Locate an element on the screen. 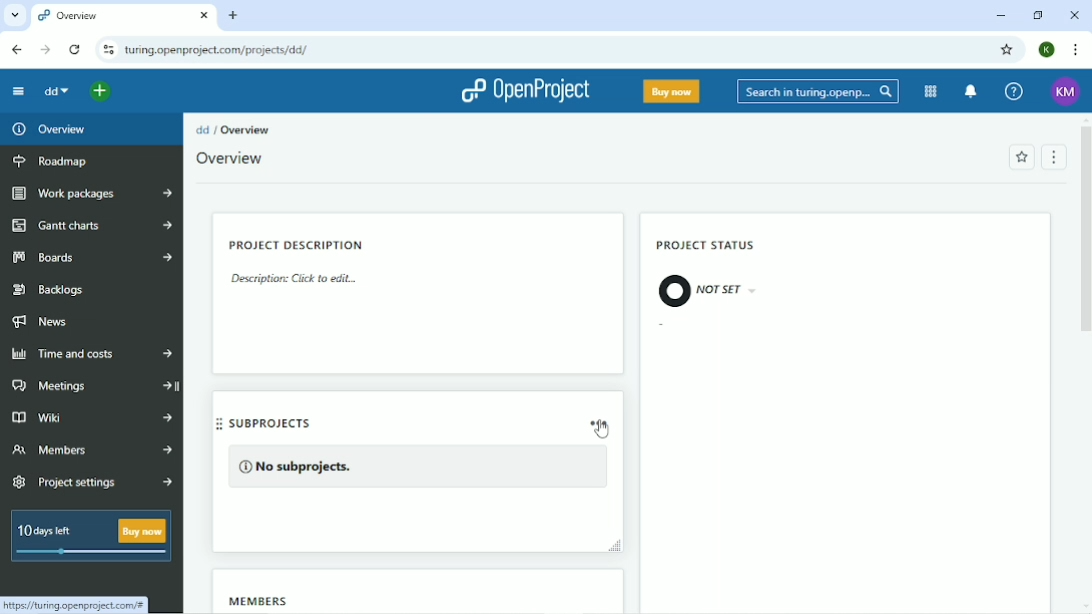 The height and width of the screenshot is (614, 1092). New tab is located at coordinates (234, 15).